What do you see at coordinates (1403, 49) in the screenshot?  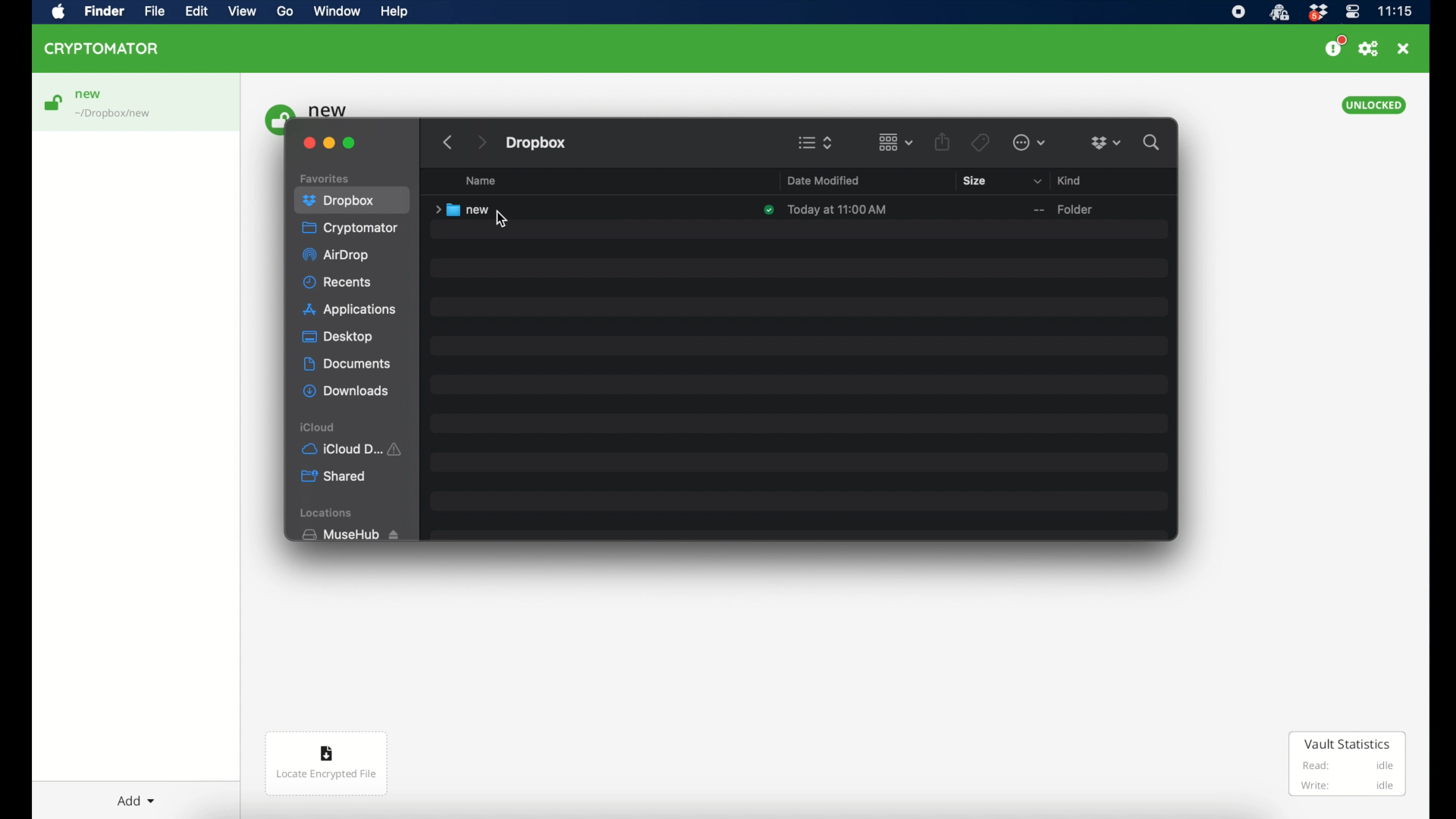 I see `close` at bounding box center [1403, 49].